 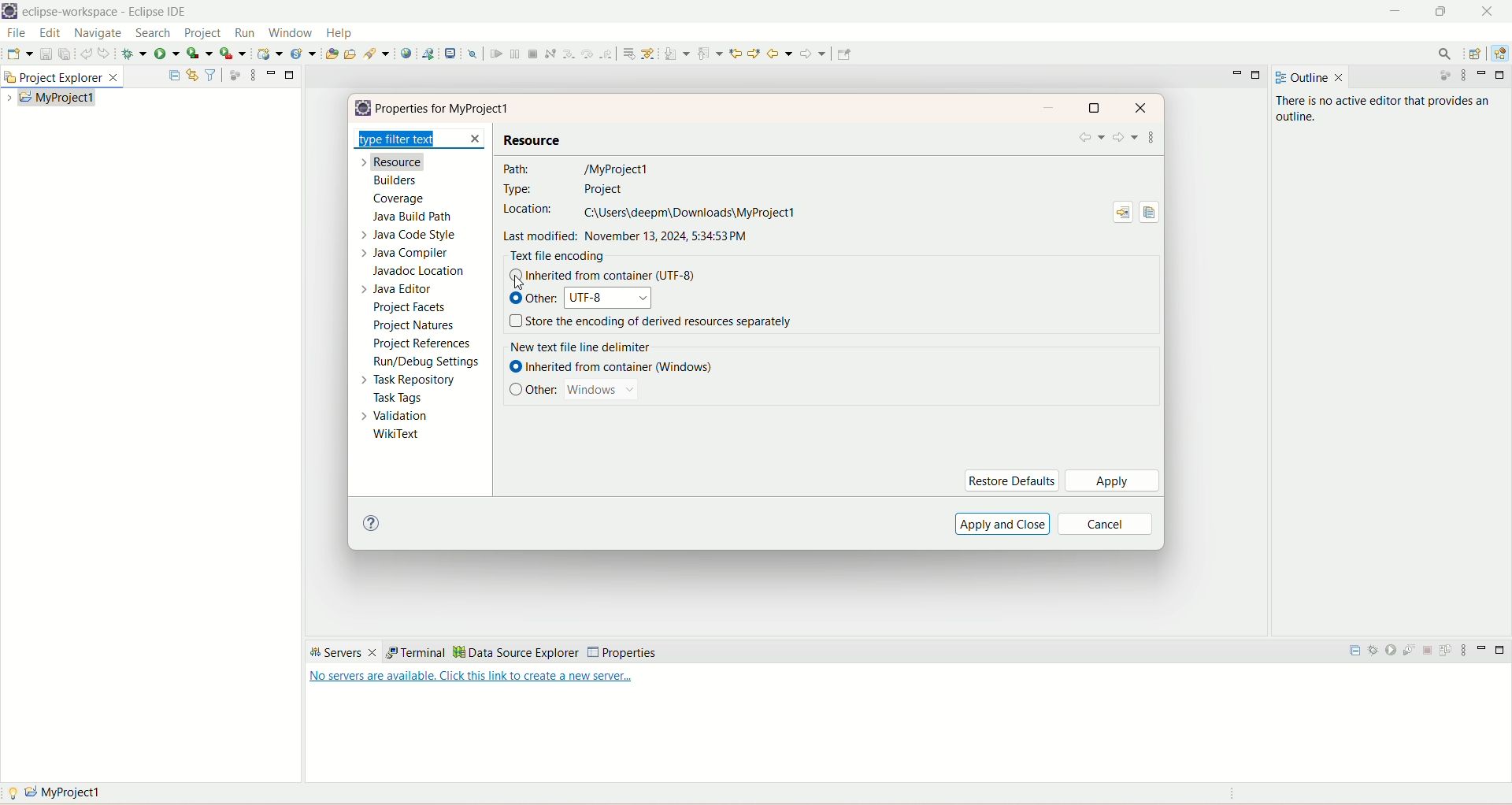 I want to click on save all, so click(x=65, y=55).